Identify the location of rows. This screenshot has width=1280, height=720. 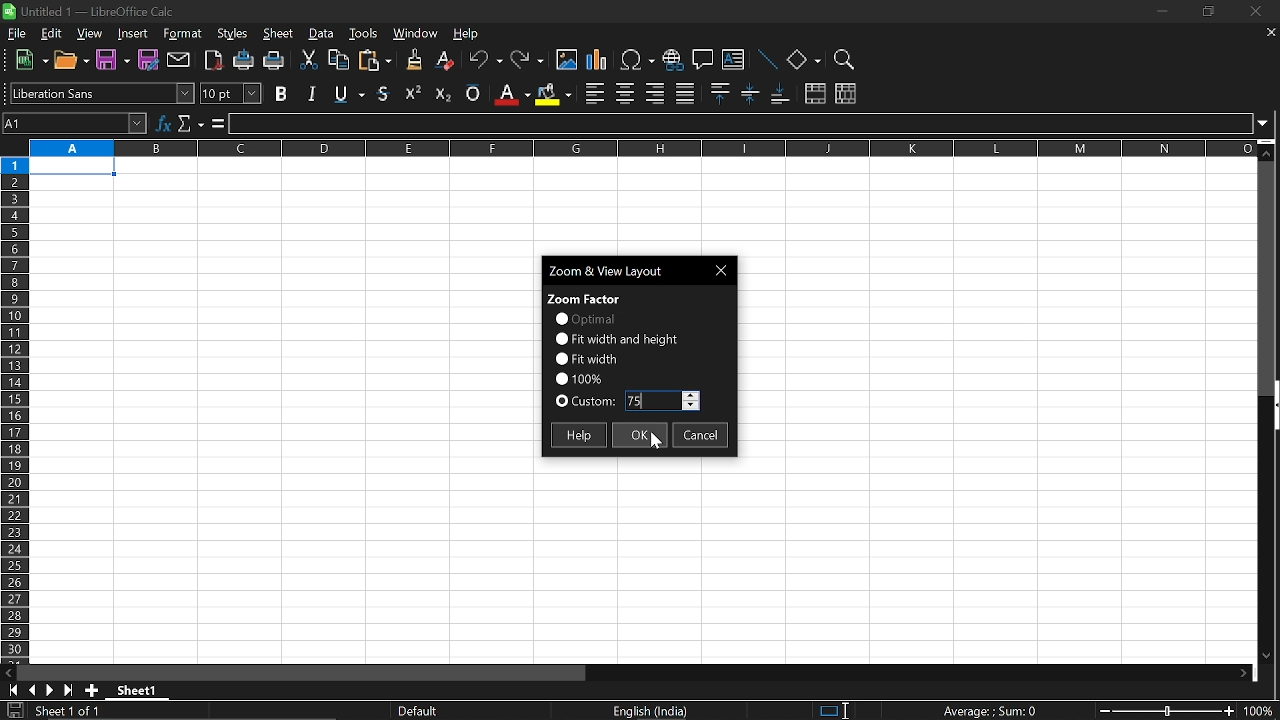
(13, 408).